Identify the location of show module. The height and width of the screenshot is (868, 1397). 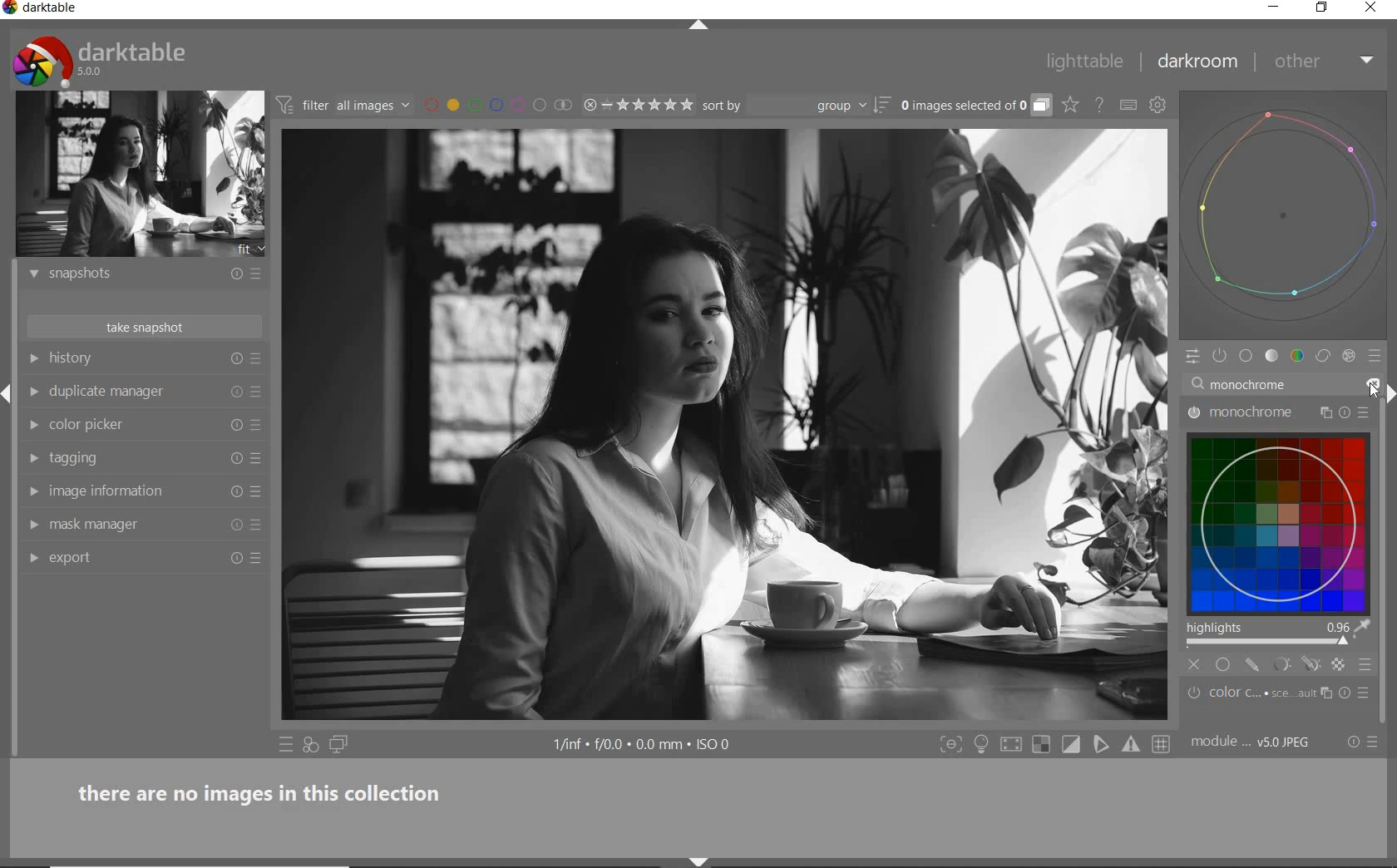
(32, 525).